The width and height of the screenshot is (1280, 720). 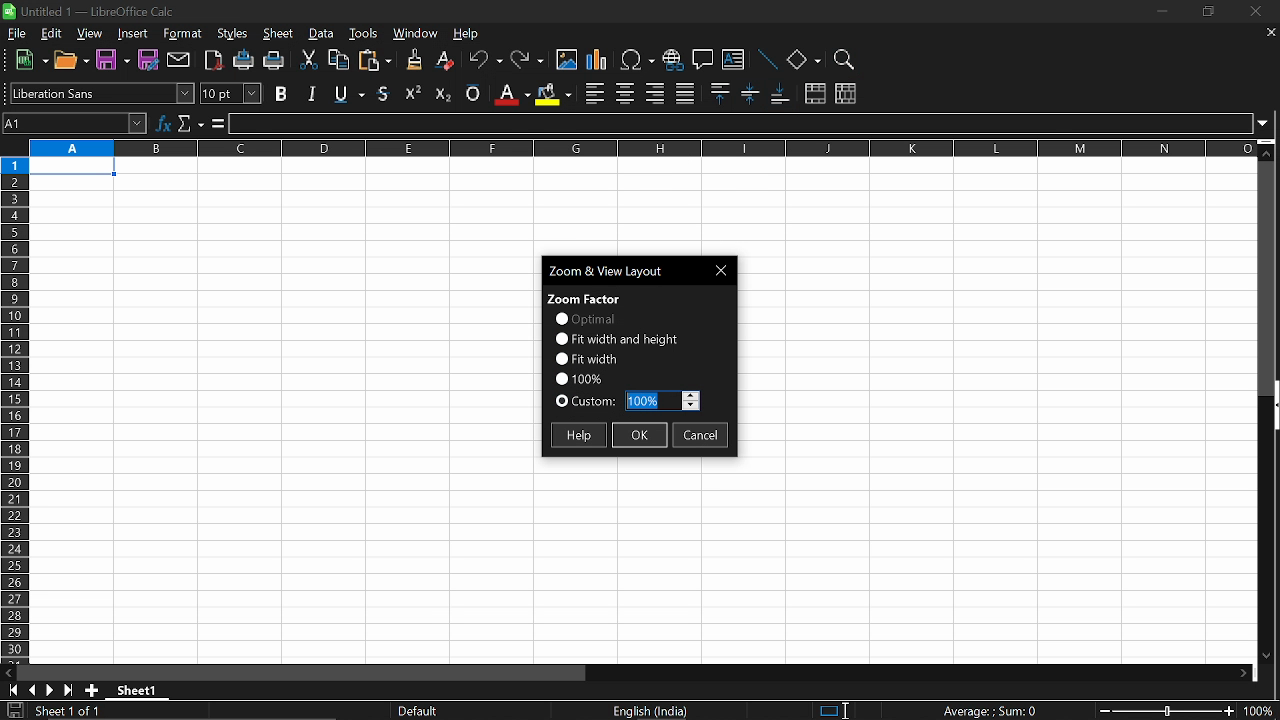 What do you see at coordinates (446, 61) in the screenshot?
I see `eraser` at bounding box center [446, 61].